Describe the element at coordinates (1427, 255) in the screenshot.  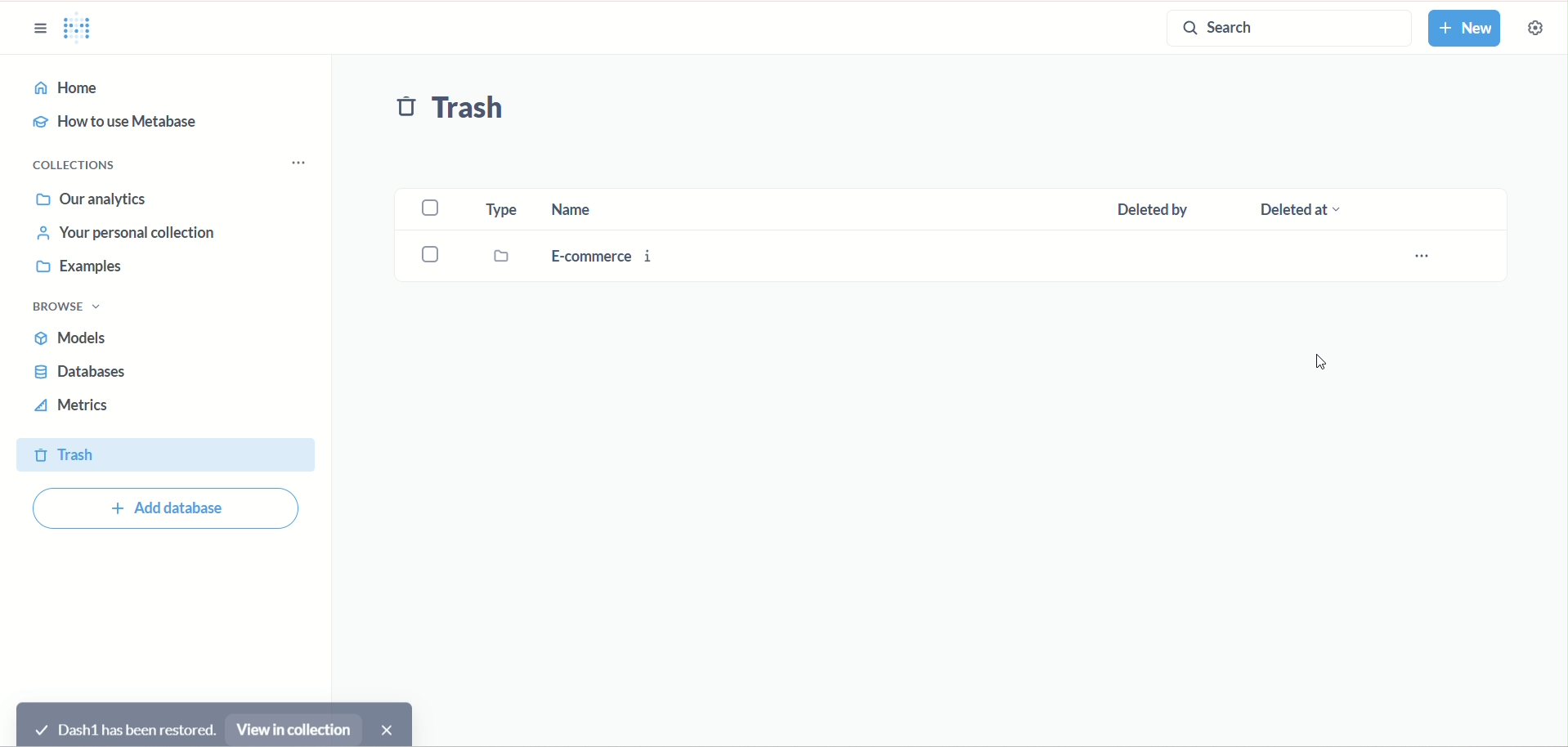
I see `e-commerce i options ` at that location.